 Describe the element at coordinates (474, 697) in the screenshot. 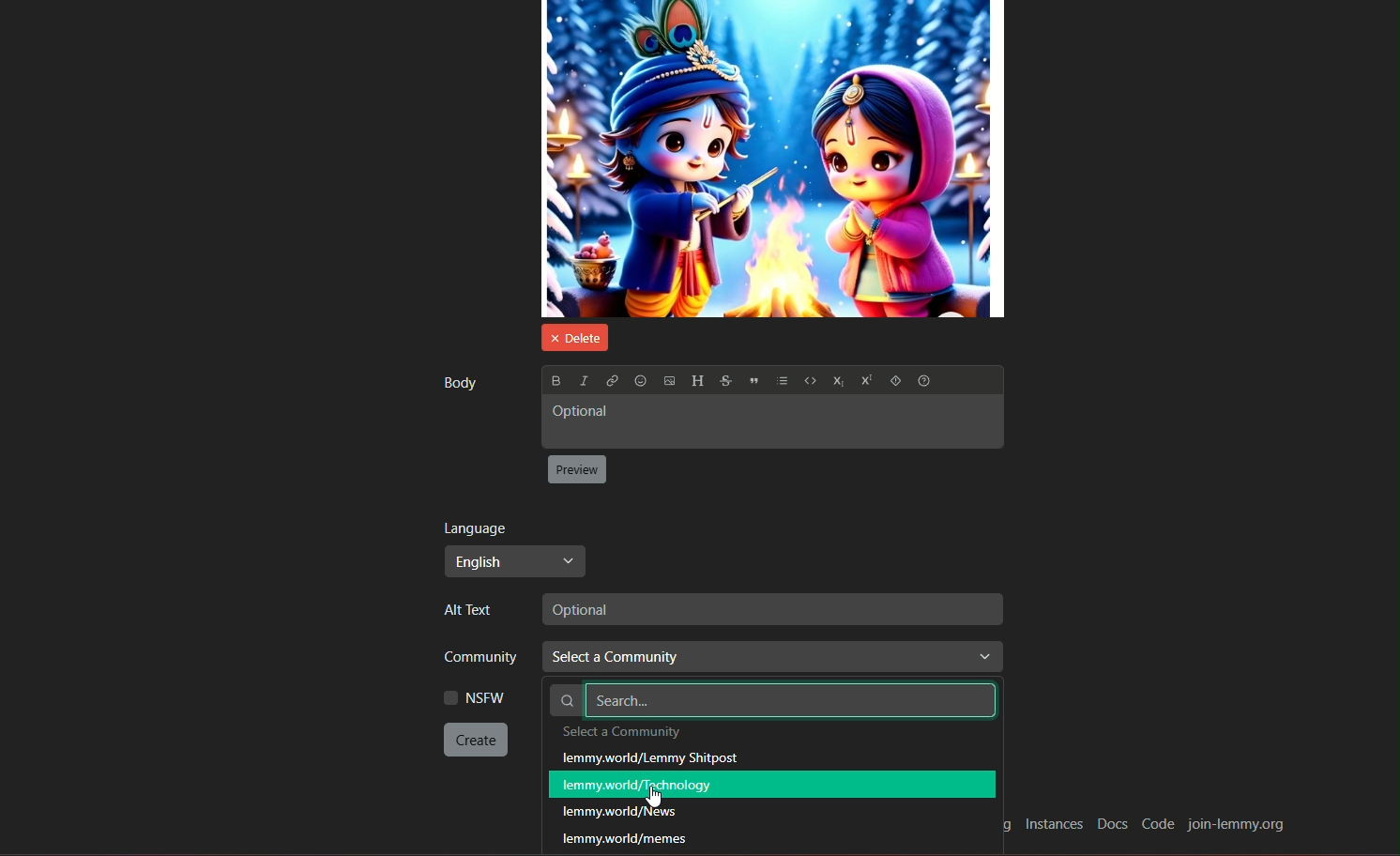

I see `NSFW` at that location.